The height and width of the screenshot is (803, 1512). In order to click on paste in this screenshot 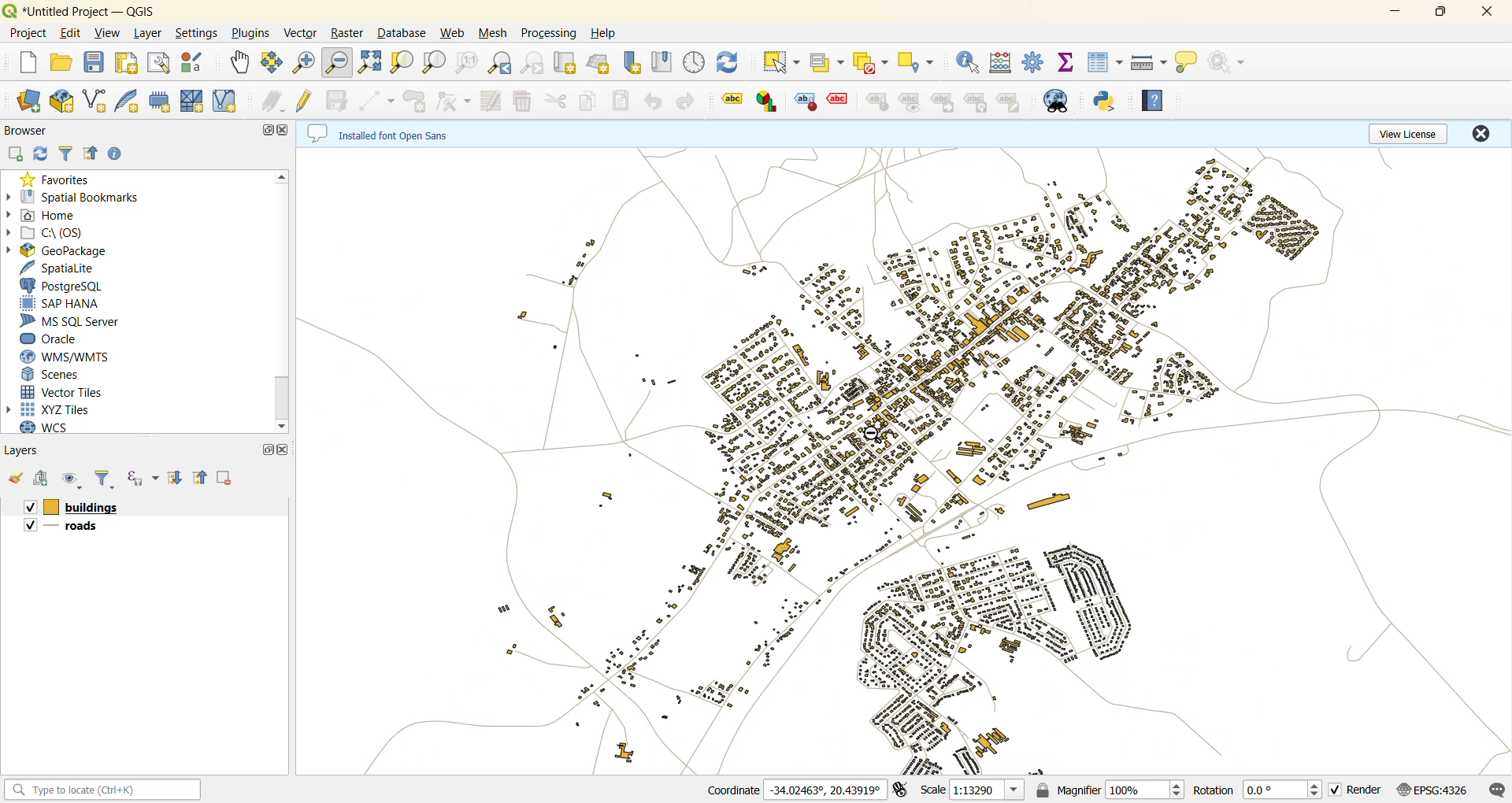, I will do `click(622, 101)`.